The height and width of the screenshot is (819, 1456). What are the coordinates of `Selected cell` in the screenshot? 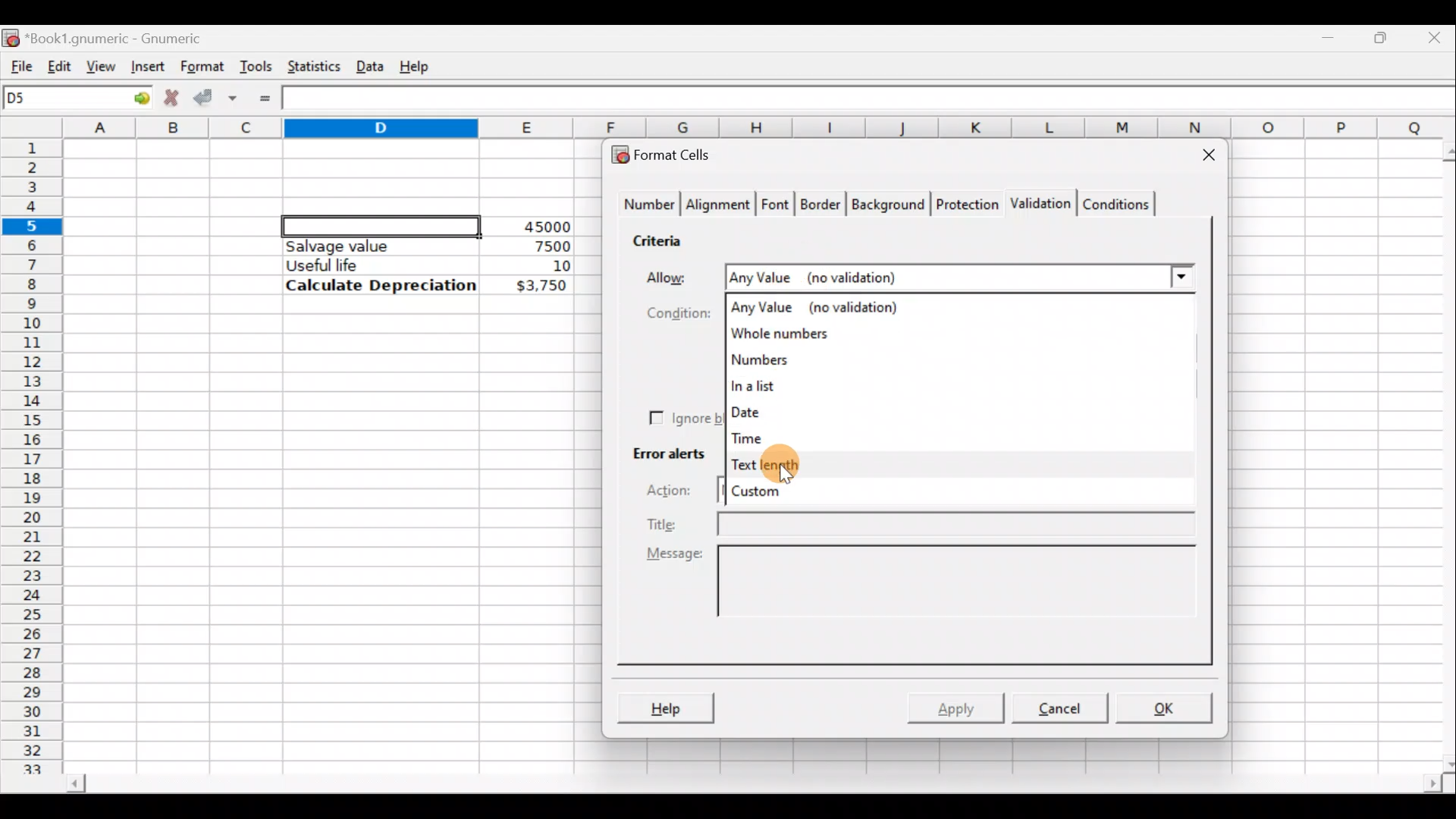 It's located at (381, 224).